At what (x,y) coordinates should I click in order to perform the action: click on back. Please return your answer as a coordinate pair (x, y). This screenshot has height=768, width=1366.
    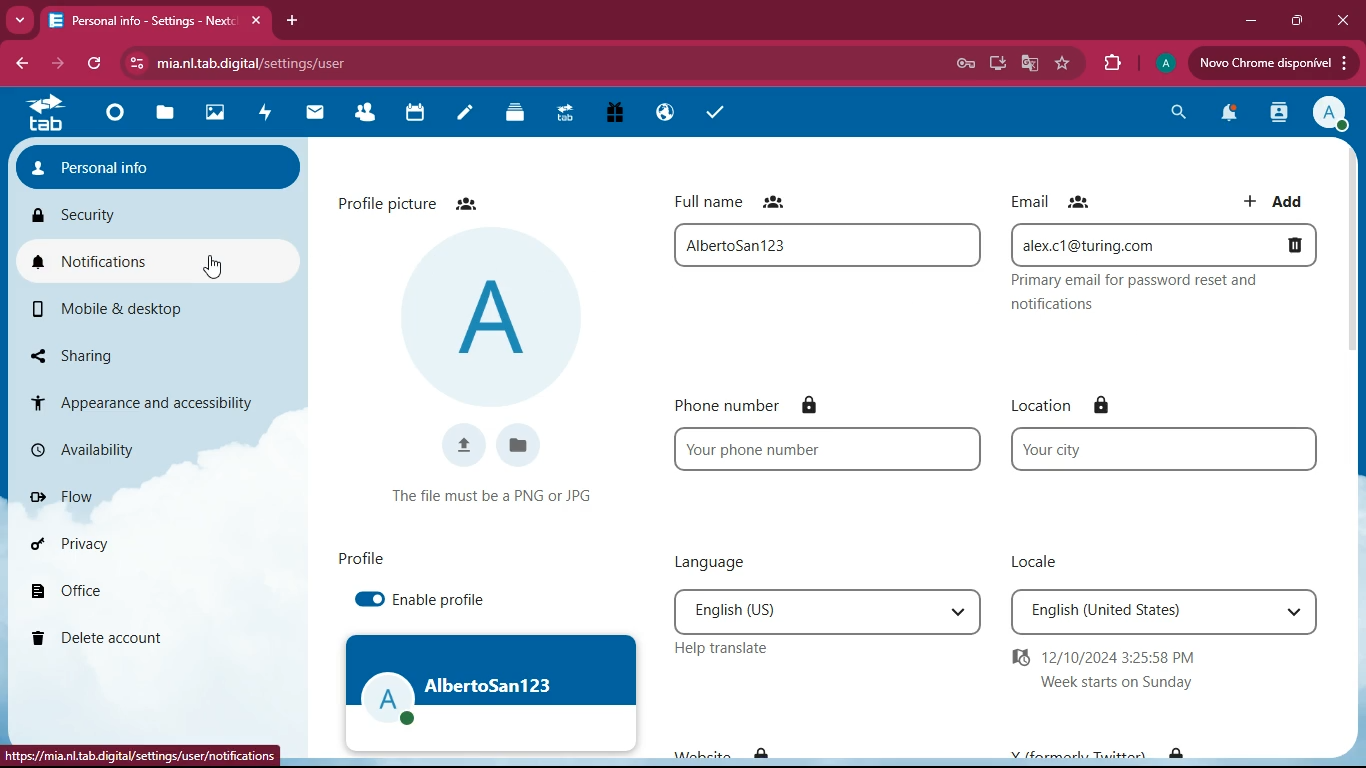
    Looking at the image, I should click on (20, 65).